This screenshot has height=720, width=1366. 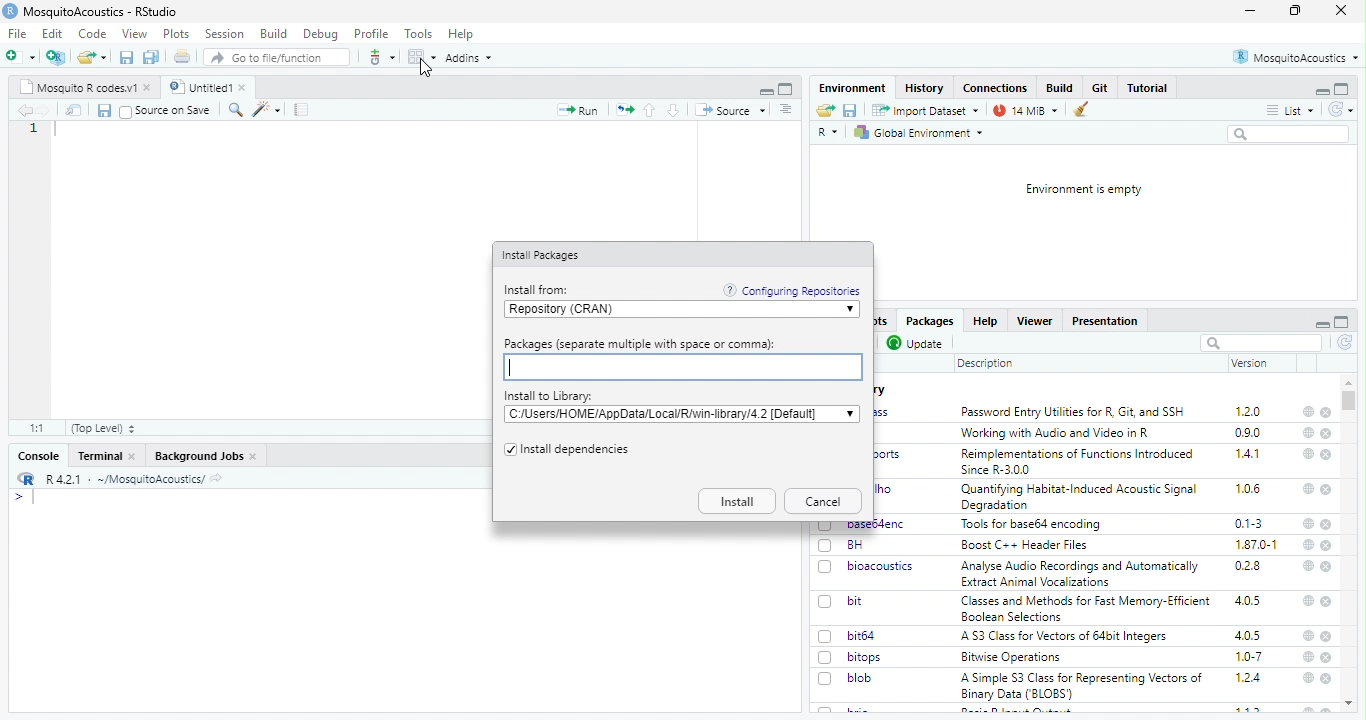 What do you see at coordinates (104, 429) in the screenshot?
I see `(Top Level)` at bounding box center [104, 429].